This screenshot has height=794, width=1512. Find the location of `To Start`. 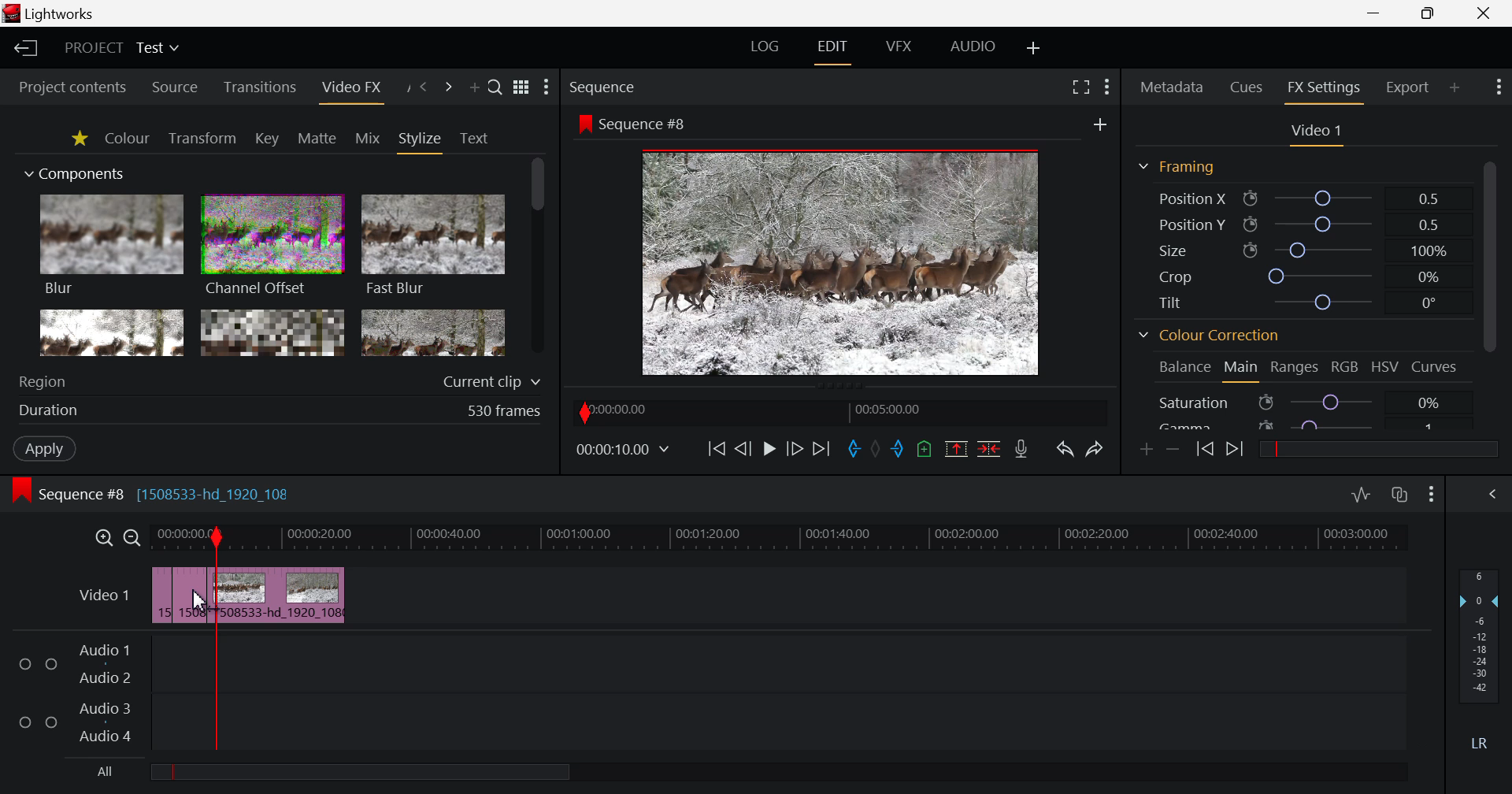

To Start is located at coordinates (717, 449).